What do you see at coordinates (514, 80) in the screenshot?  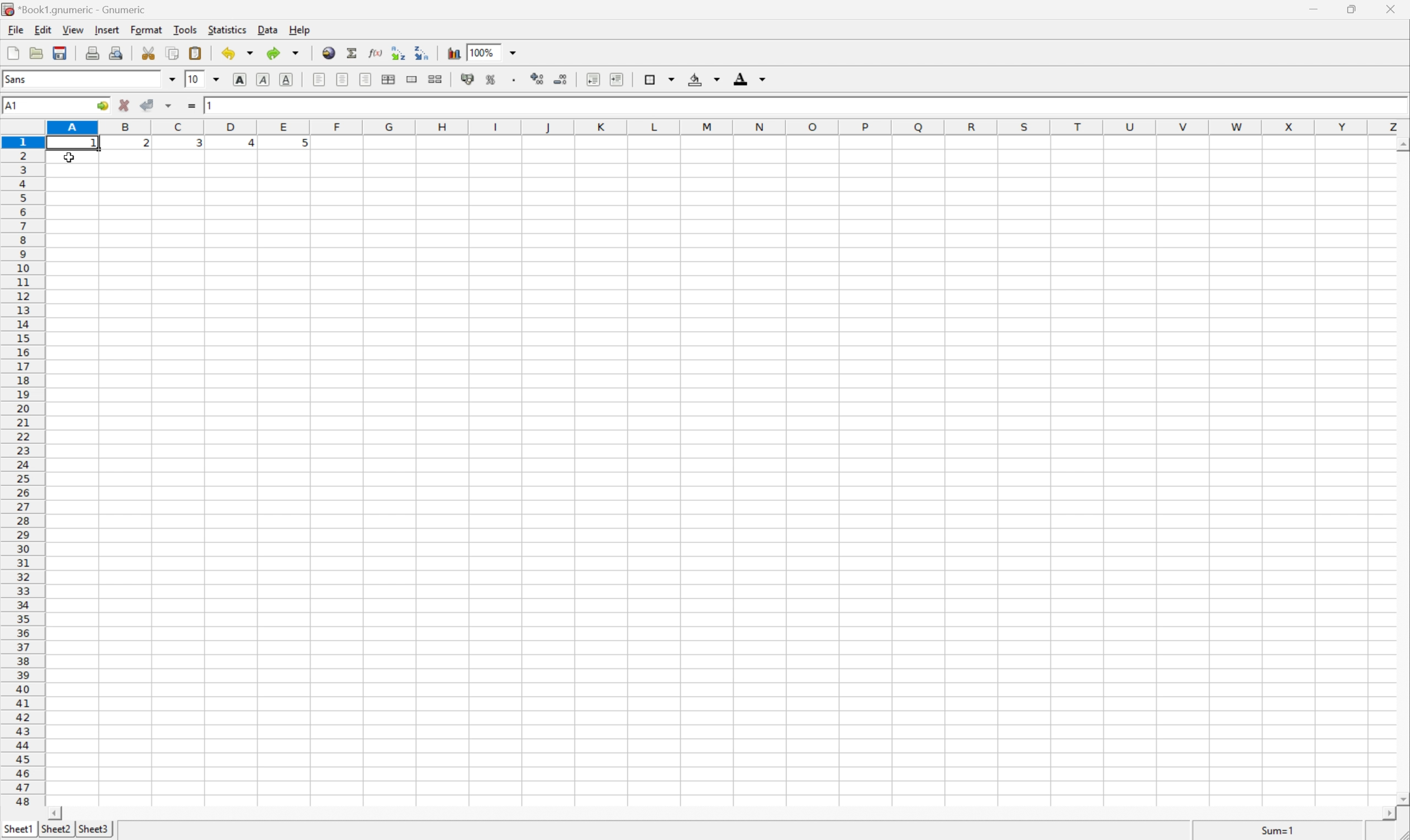 I see `Set the format of the selected cells to include a thousands separator` at bounding box center [514, 80].